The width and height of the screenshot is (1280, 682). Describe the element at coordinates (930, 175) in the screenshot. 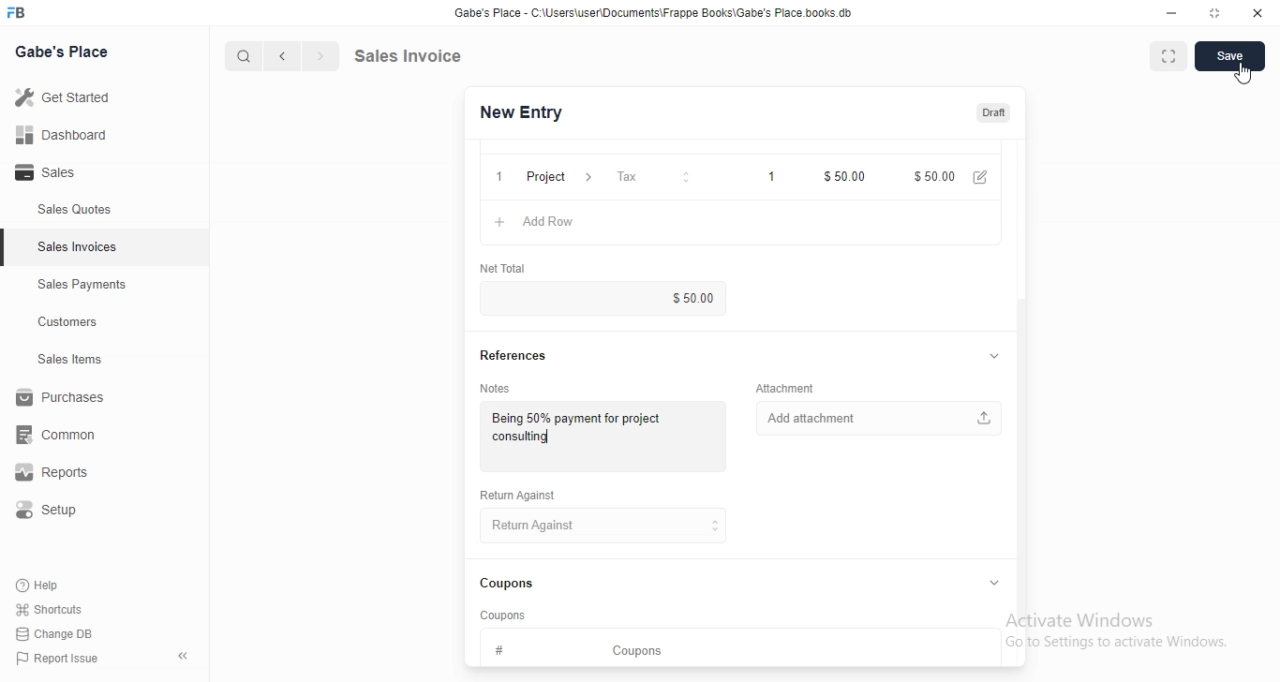

I see `$100.00` at that location.